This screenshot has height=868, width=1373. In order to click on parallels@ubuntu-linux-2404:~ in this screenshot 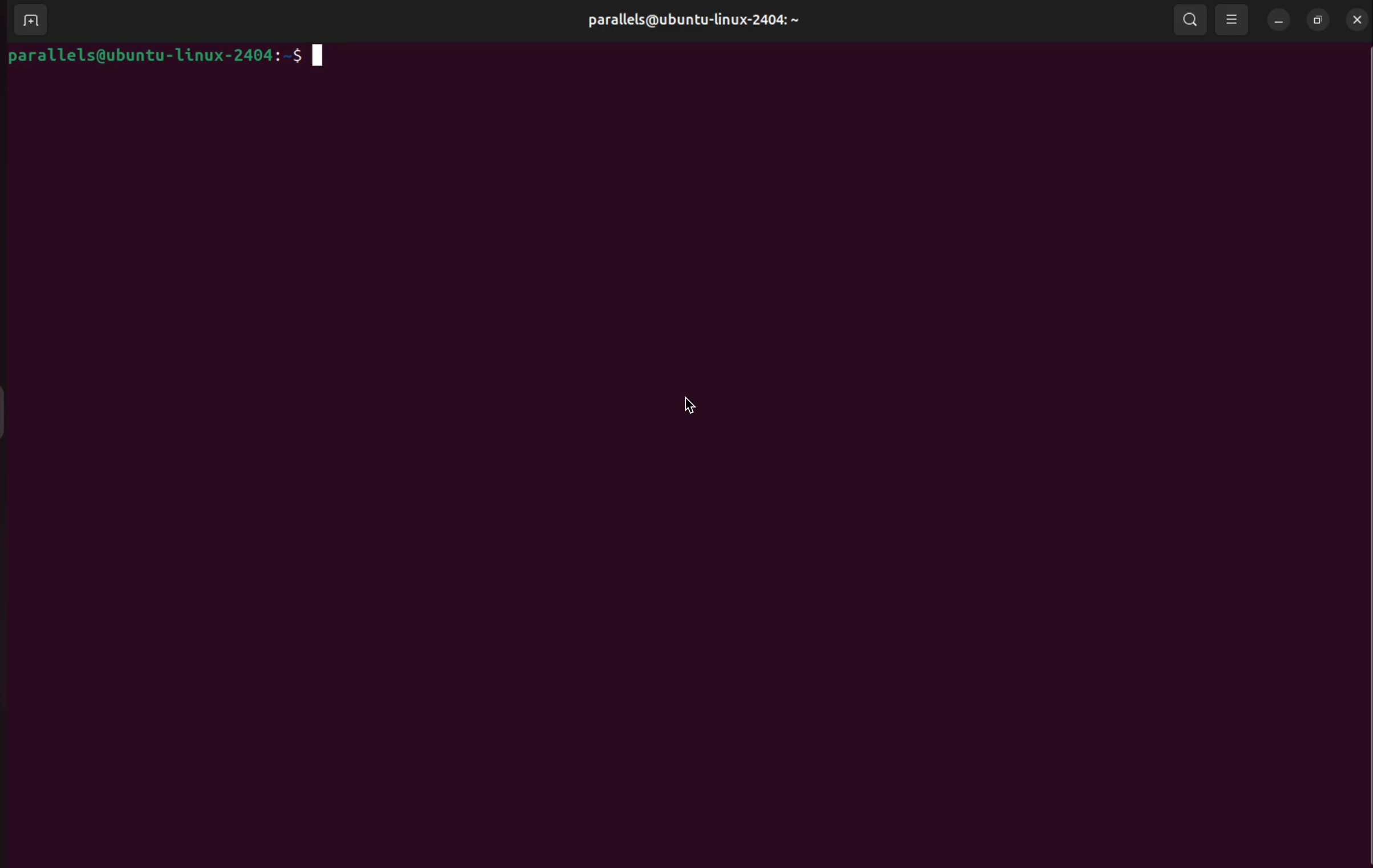, I will do `click(694, 20)`.